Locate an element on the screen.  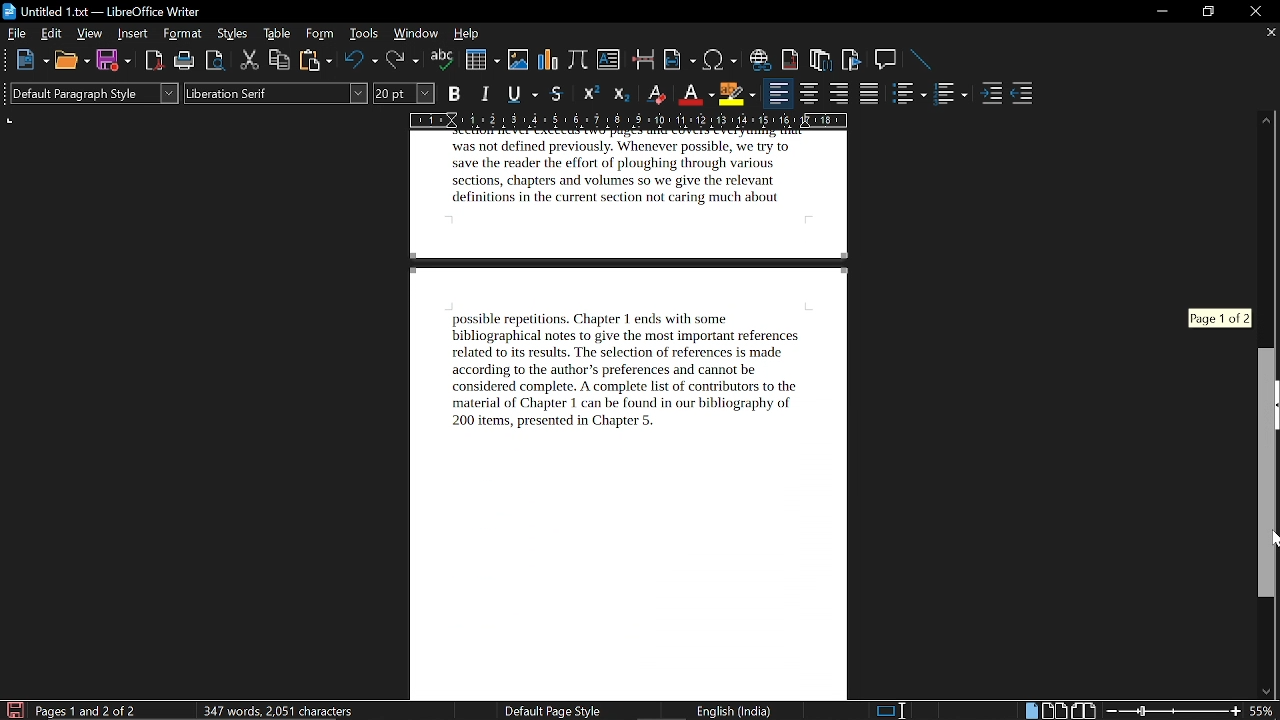
insert text is located at coordinates (608, 62).